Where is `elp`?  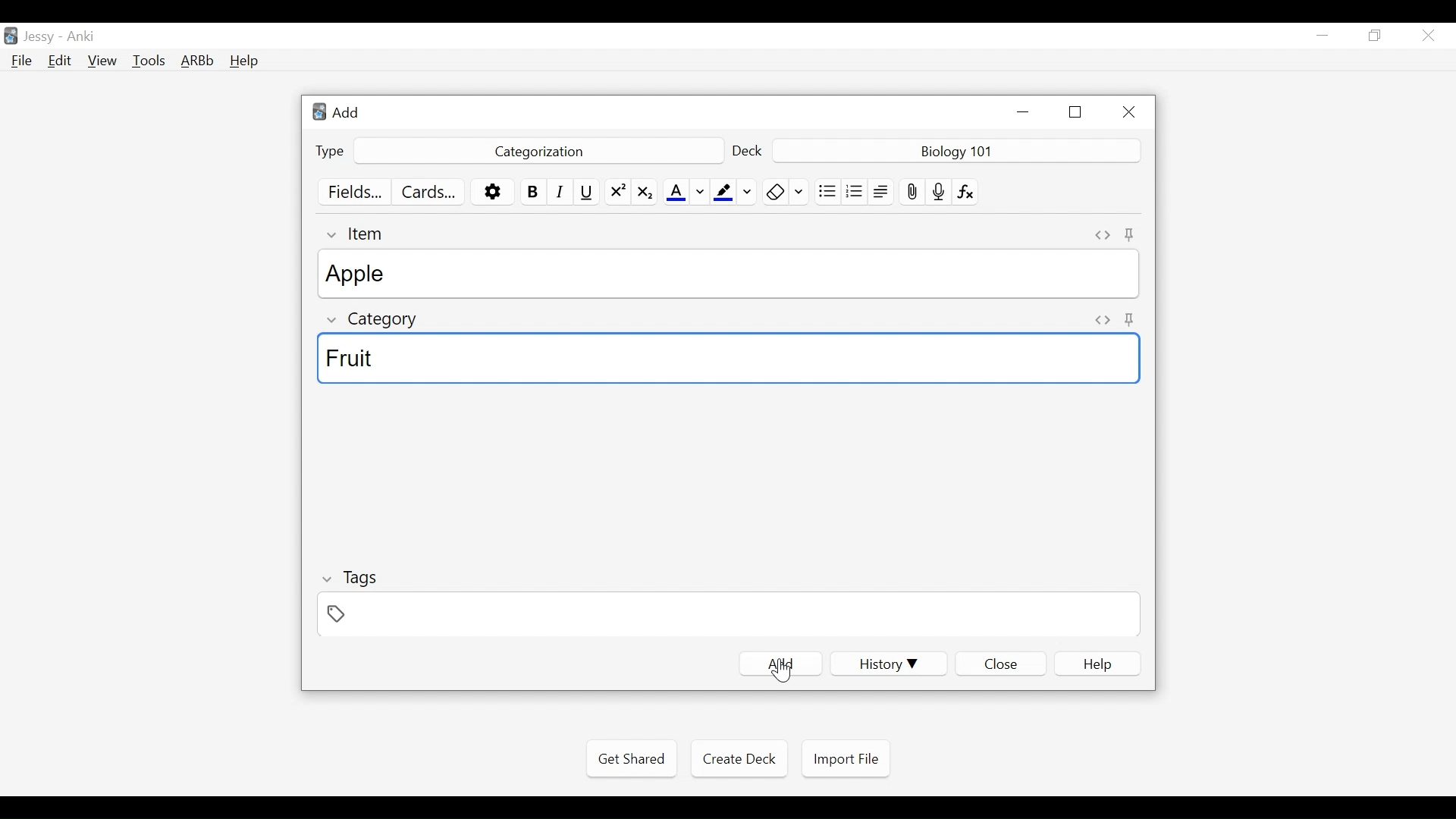
elp is located at coordinates (1099, 664).